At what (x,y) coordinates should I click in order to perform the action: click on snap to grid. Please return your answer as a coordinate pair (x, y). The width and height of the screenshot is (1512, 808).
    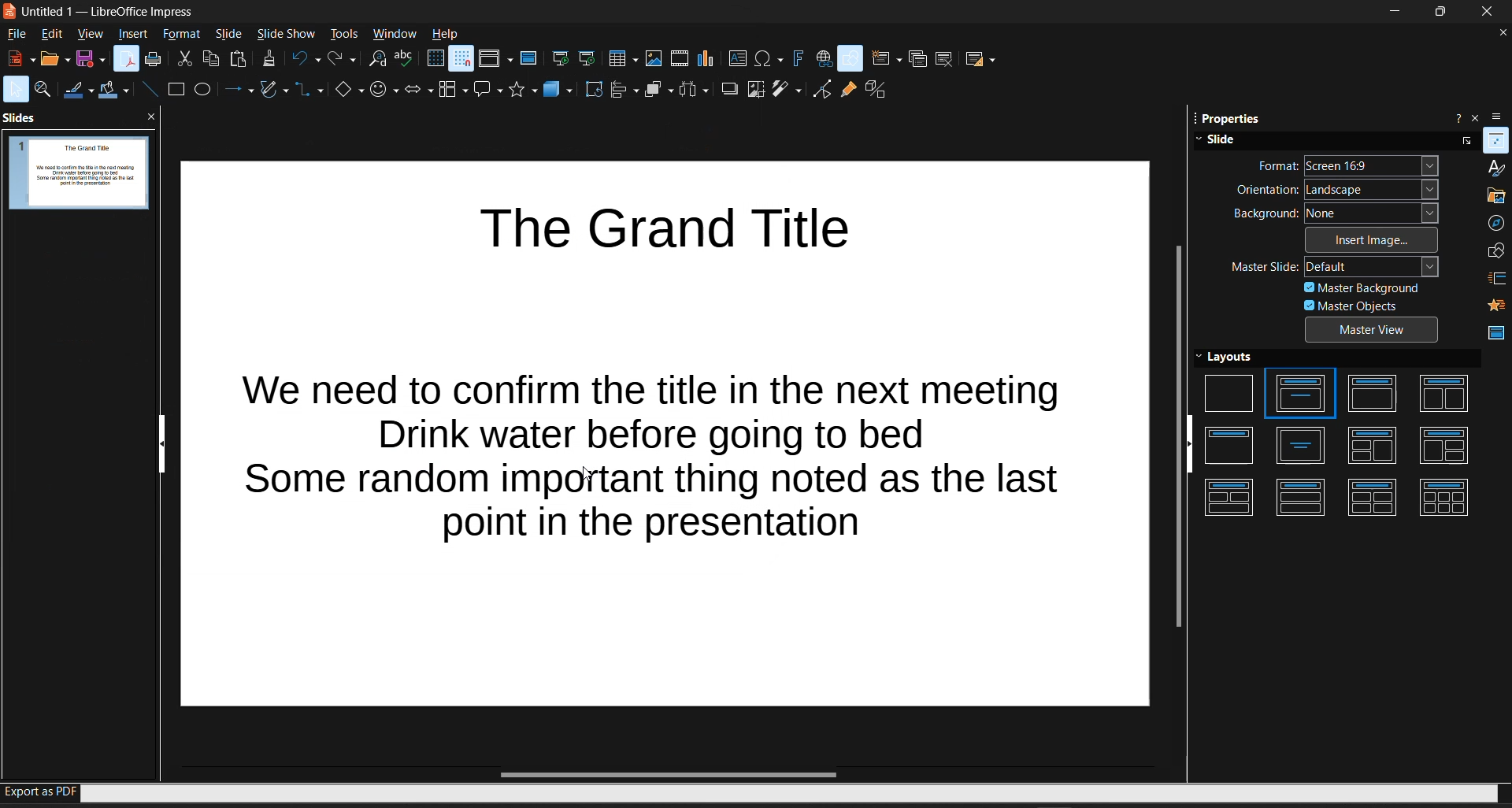
    Looking at the image, I should click on (461, 58).